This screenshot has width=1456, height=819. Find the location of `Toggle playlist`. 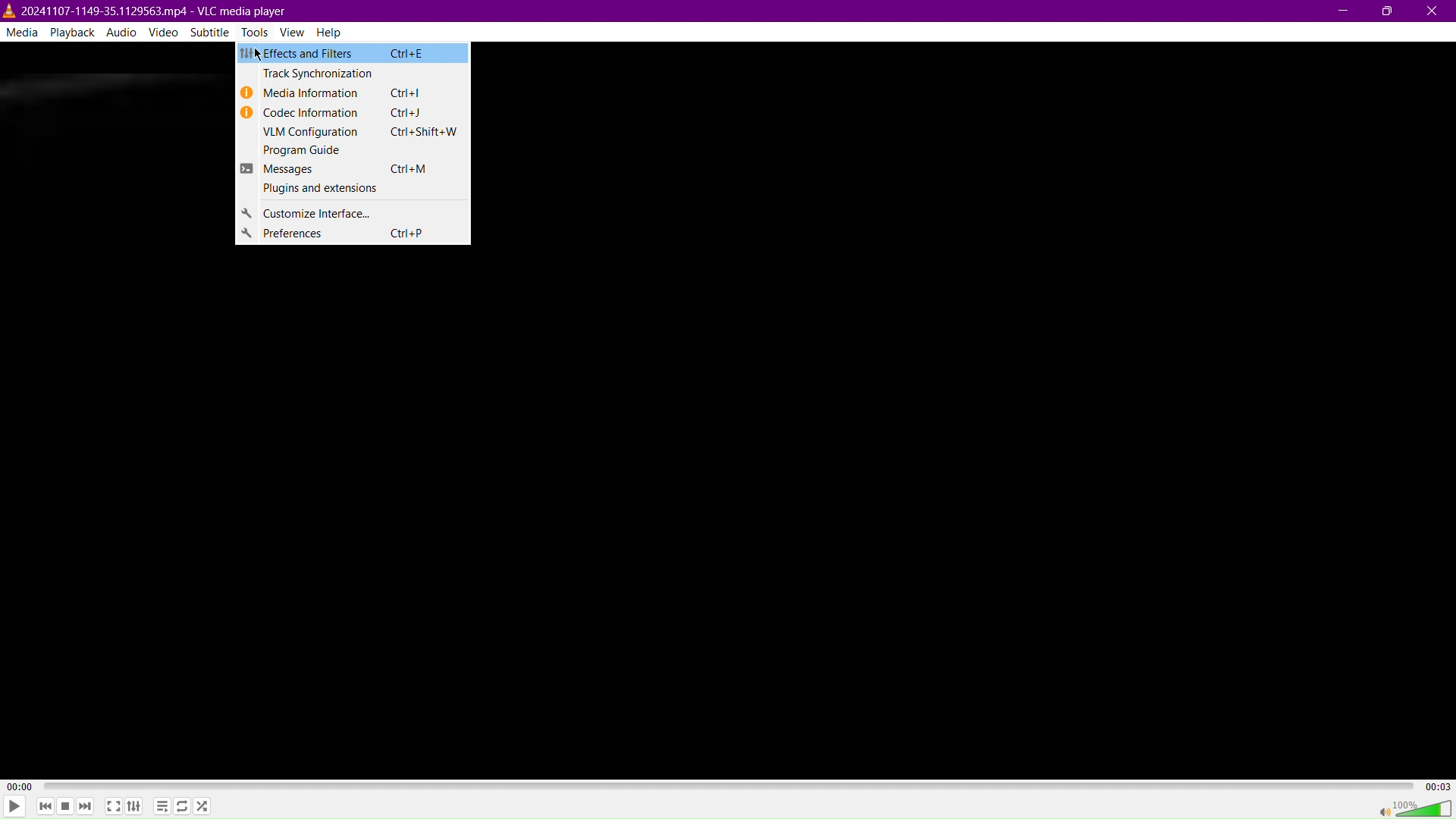

Toggle playlist is located at coordinates (160, 805).